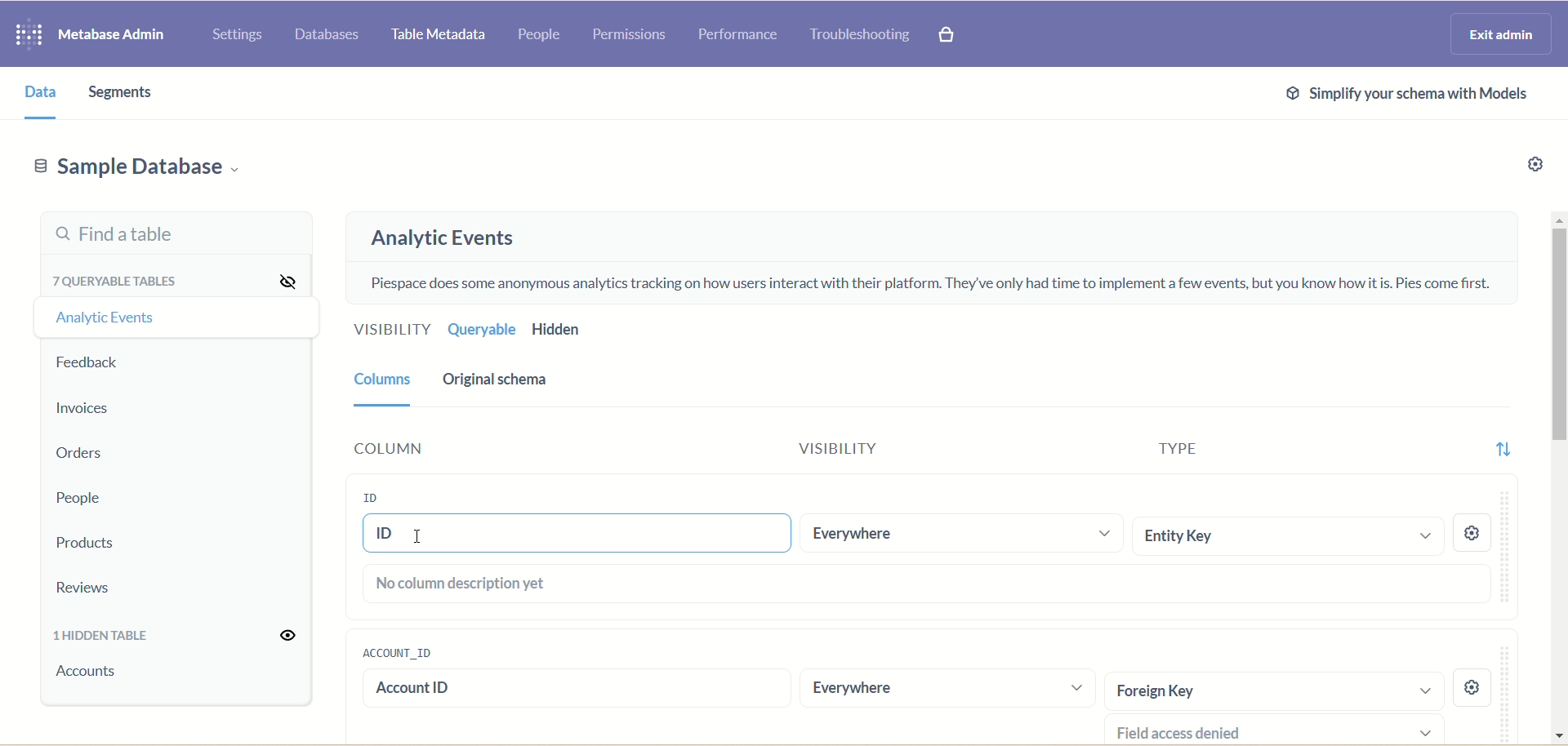  I want to click on Simplify schema with models, so click(1402, 97).